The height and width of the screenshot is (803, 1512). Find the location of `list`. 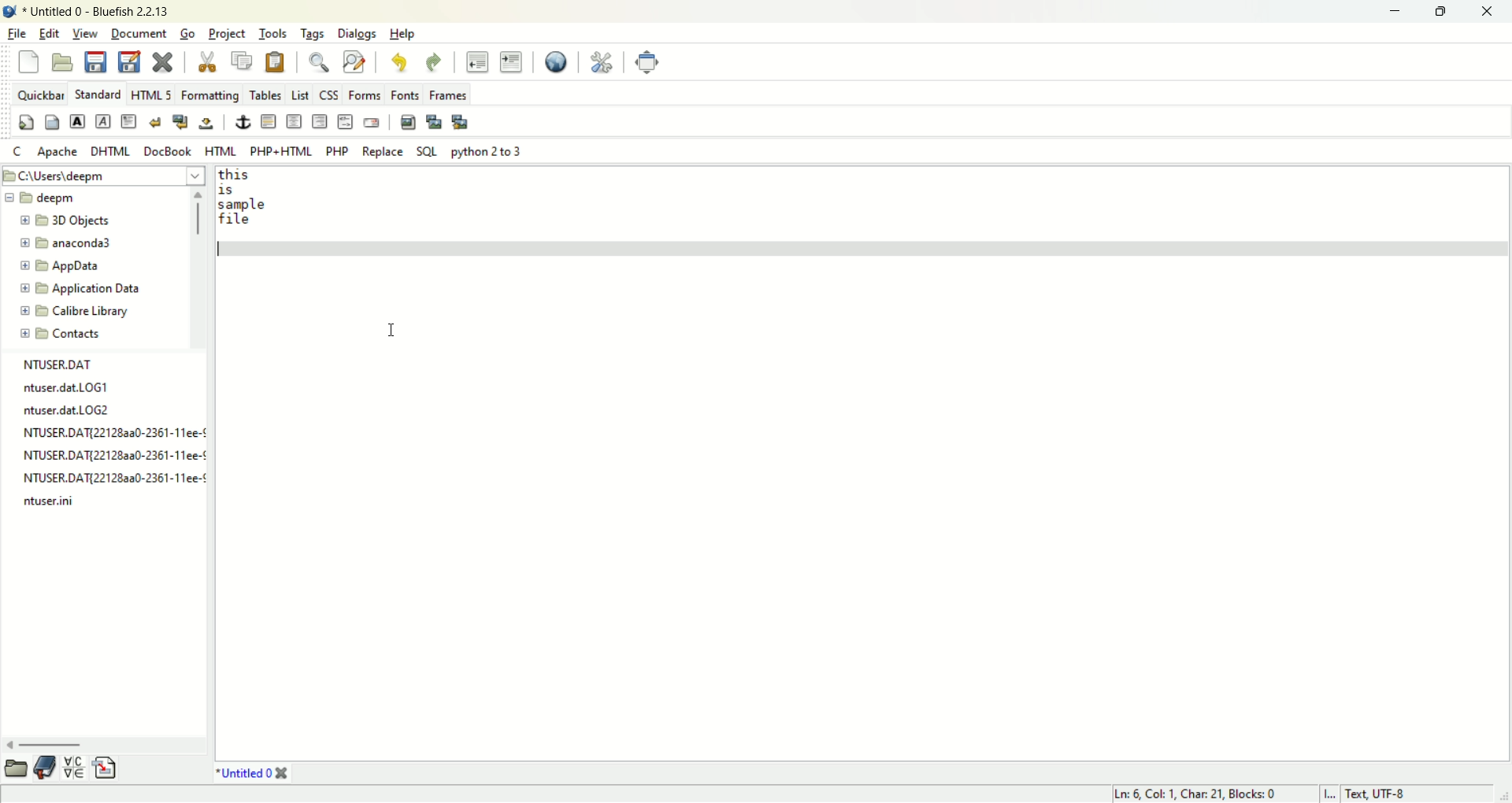

list is located at coordinates (298, 94).